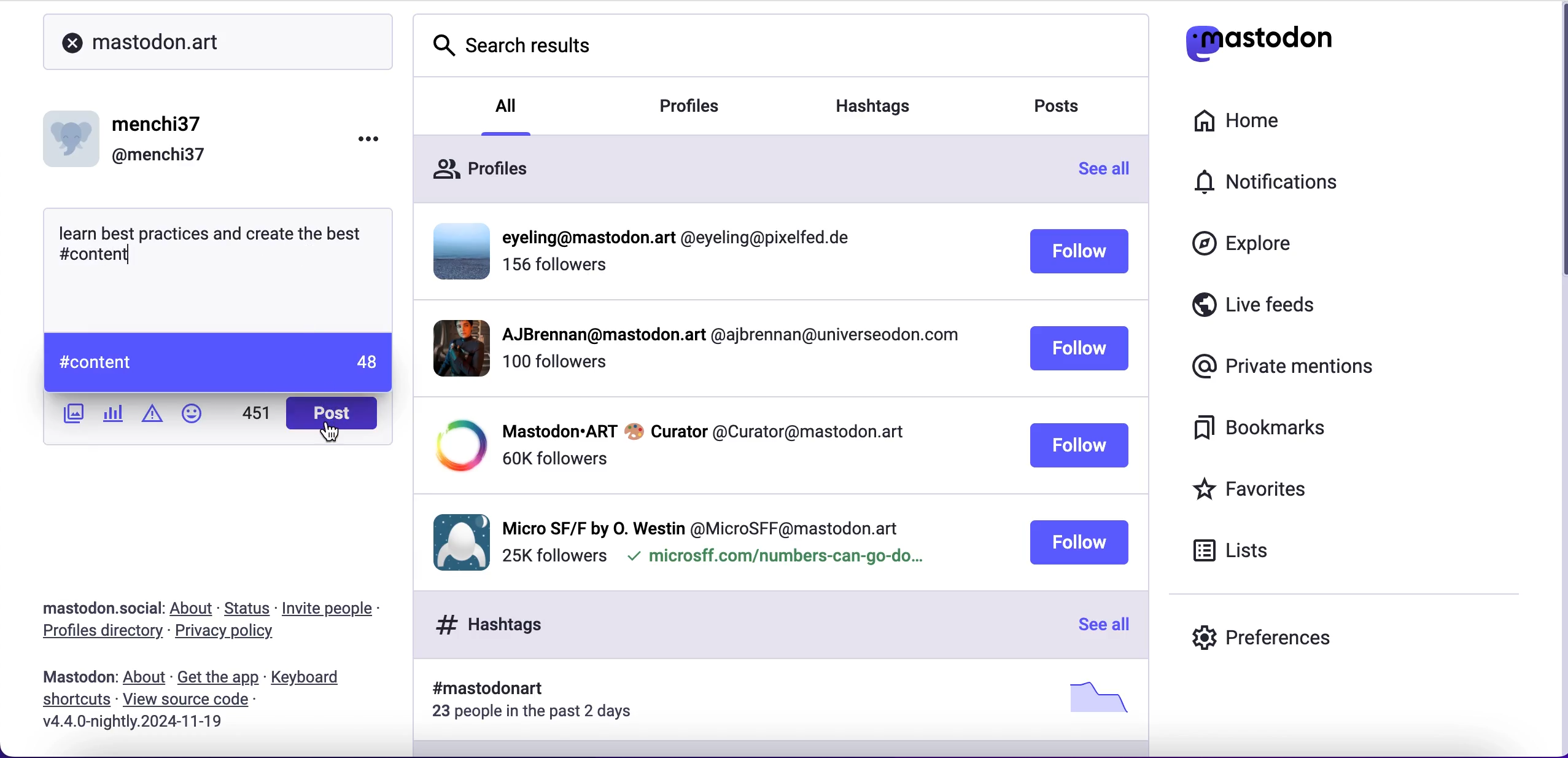  What do you see at coordinates (309, 678) in the screenshot?
I see `keyboard` at bounding box center [309, 678].